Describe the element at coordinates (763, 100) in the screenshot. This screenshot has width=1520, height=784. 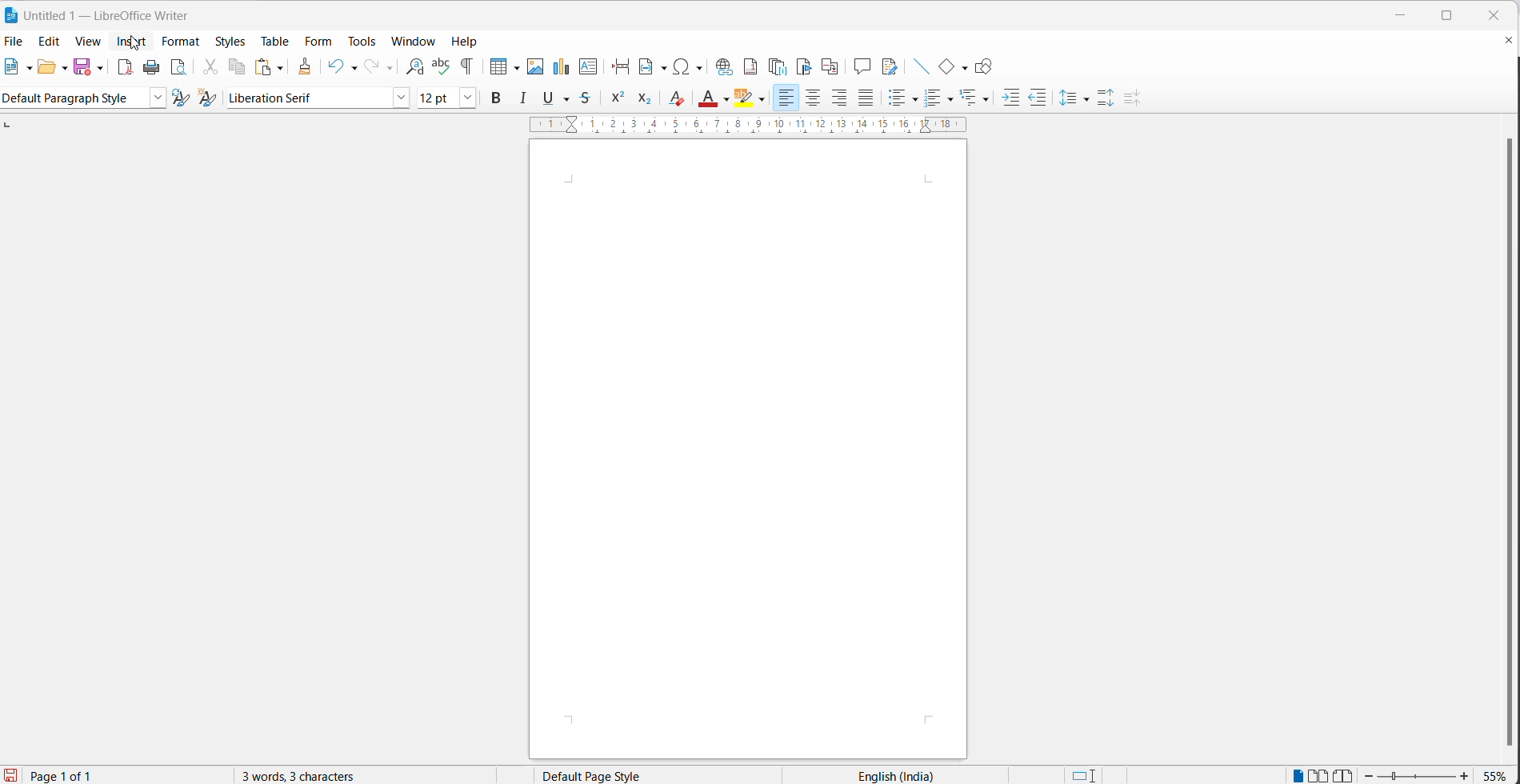
I see `character highlighting` at that location.